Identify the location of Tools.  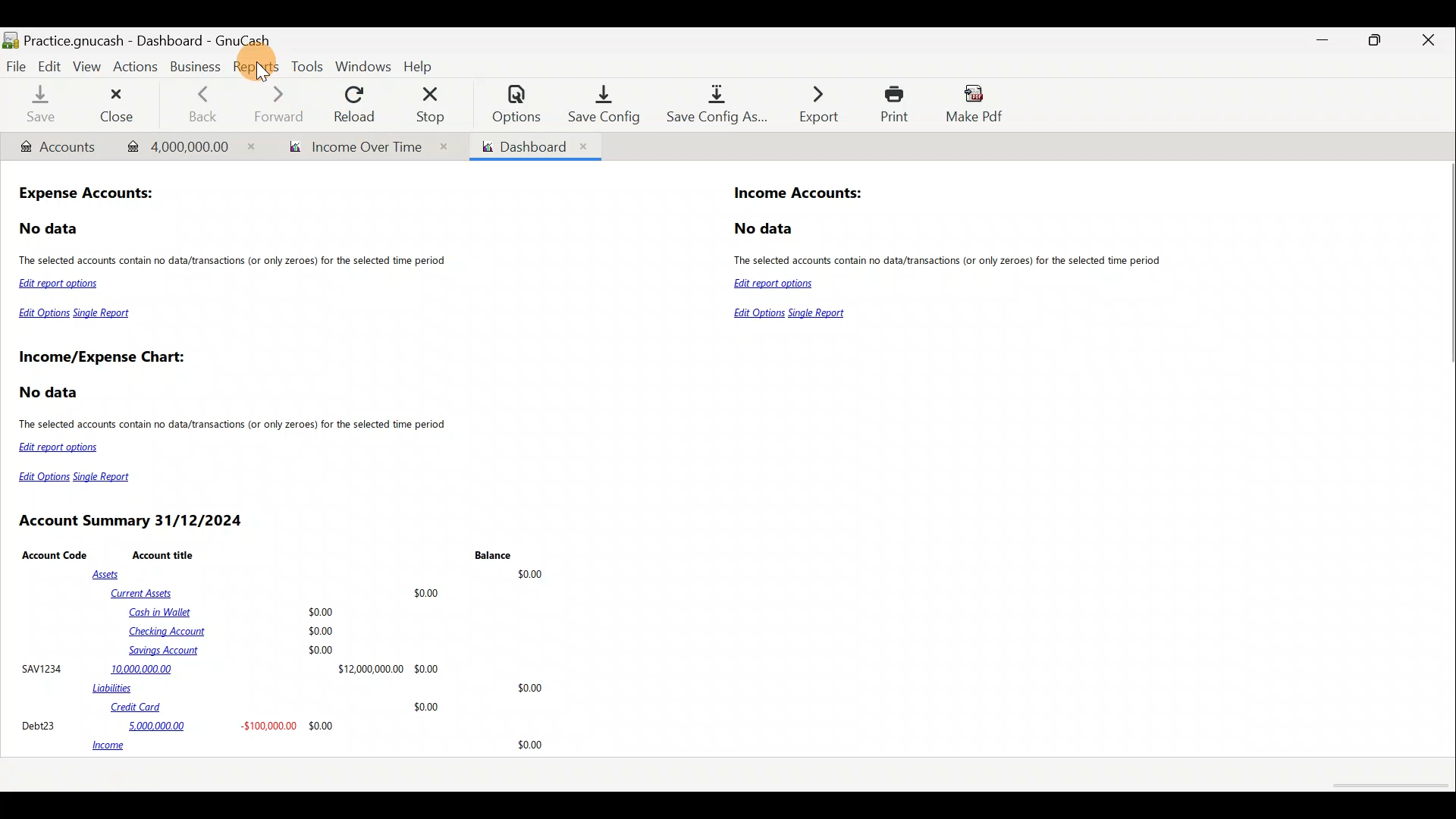
(307, 66).